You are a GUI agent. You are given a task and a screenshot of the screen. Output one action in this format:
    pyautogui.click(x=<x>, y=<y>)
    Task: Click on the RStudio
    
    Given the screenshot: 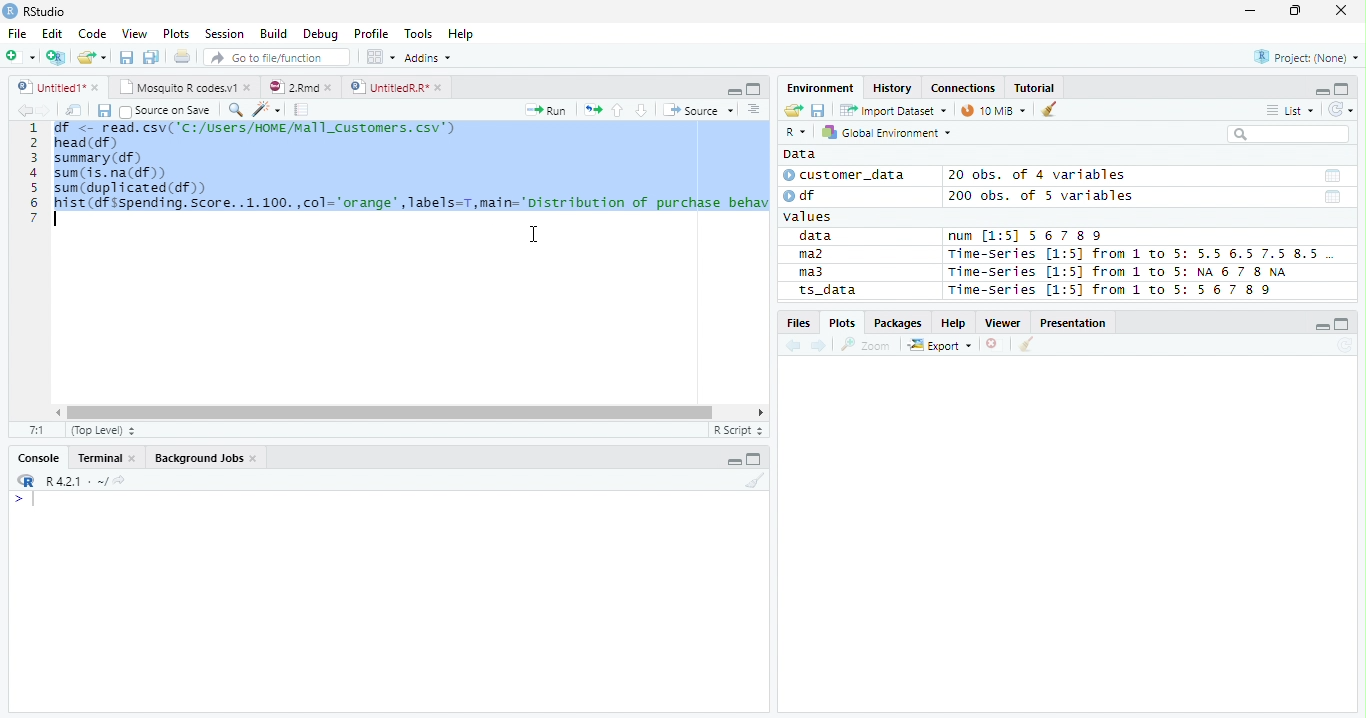 What is the action you would take?
    pyautogui.click(x=35, y=12)
    